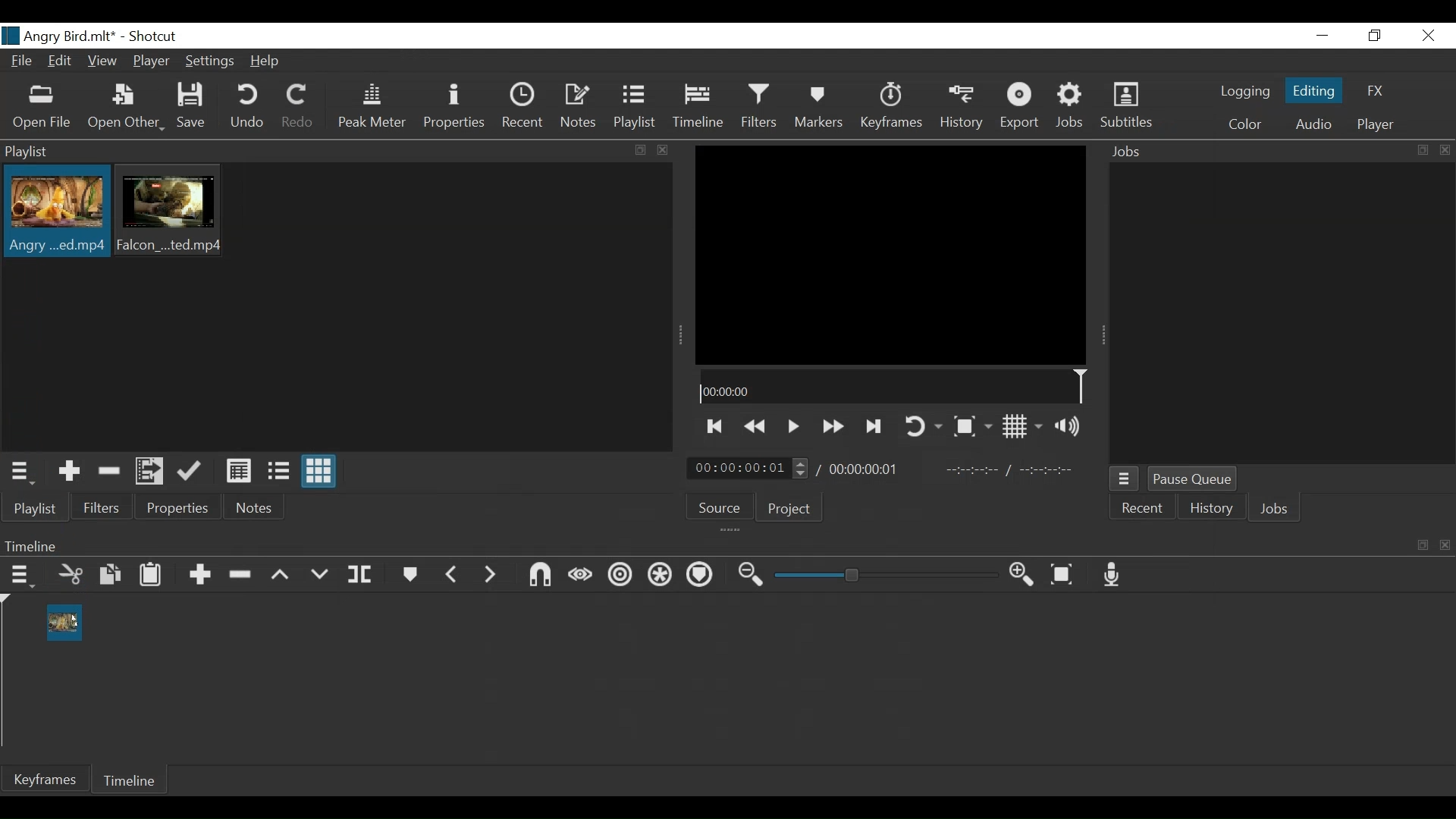  What do you see at coordinates (1063, 574) in the screenshot?
I see `Zoom timeline to fit` at bounding box center [1063, 574].